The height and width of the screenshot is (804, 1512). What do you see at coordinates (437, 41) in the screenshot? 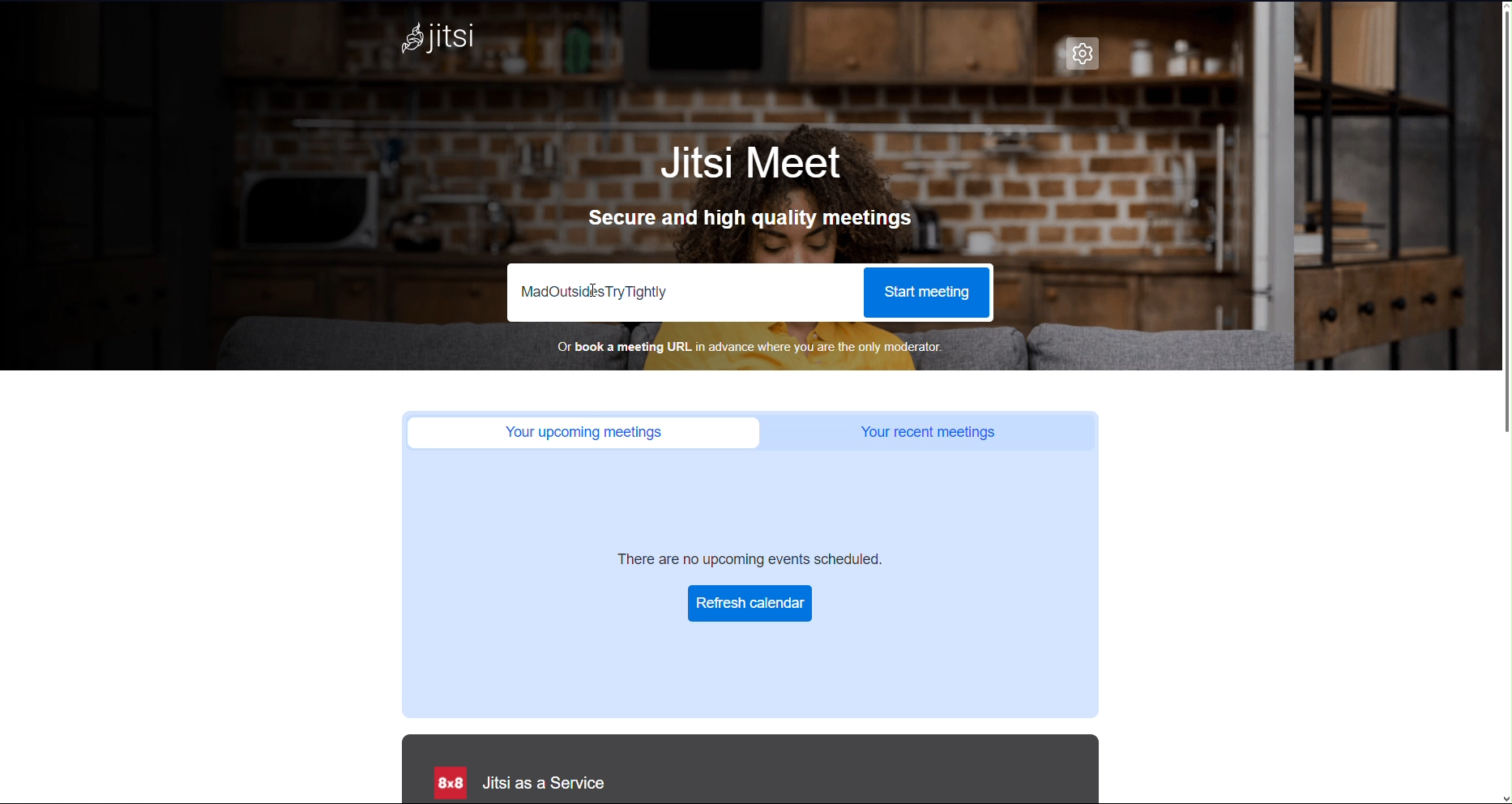
I see `Jitsi` at bounding box center [437, 41].